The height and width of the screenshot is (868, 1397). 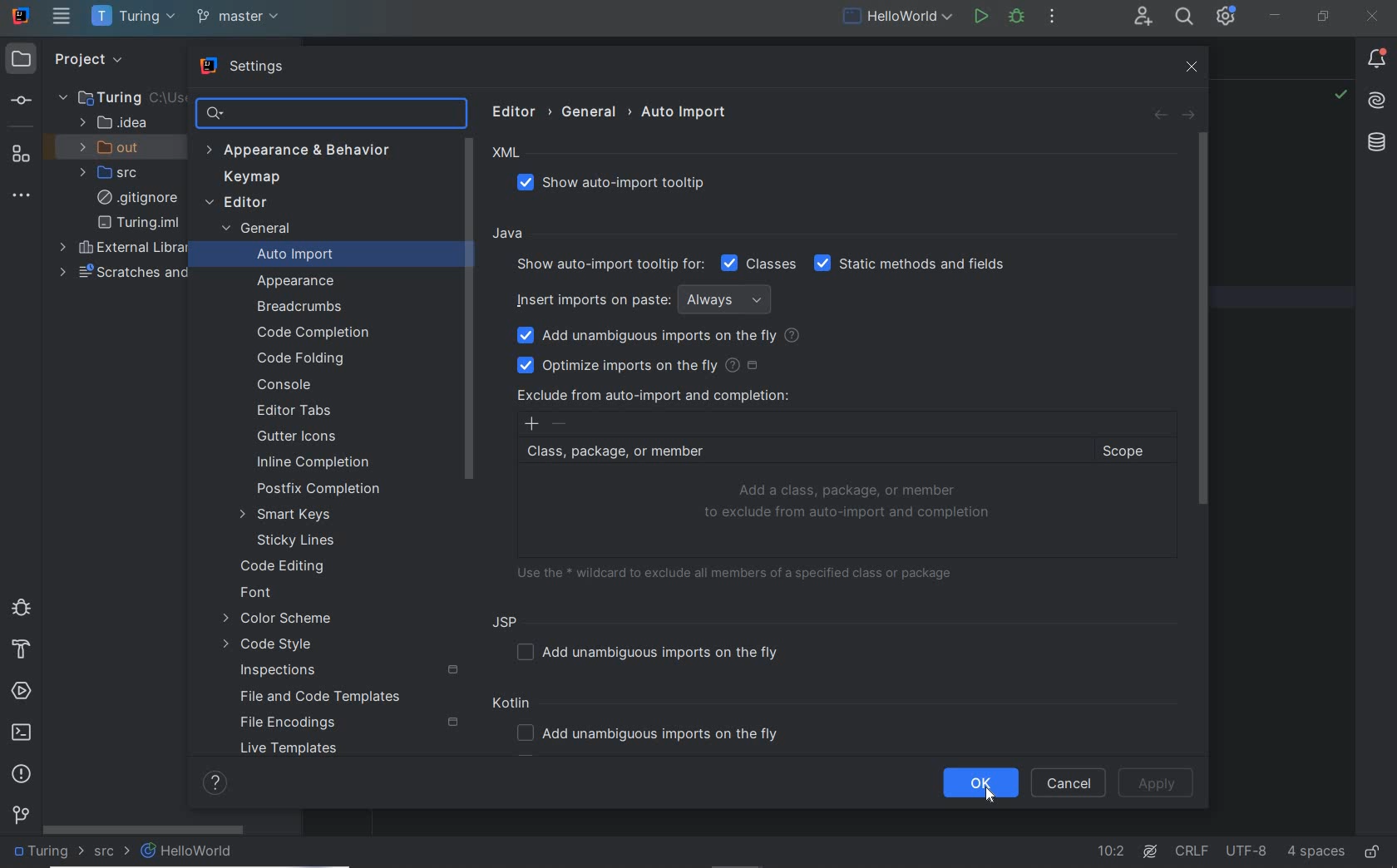 I want to click on GENERAL, so click(x=254, y=230).